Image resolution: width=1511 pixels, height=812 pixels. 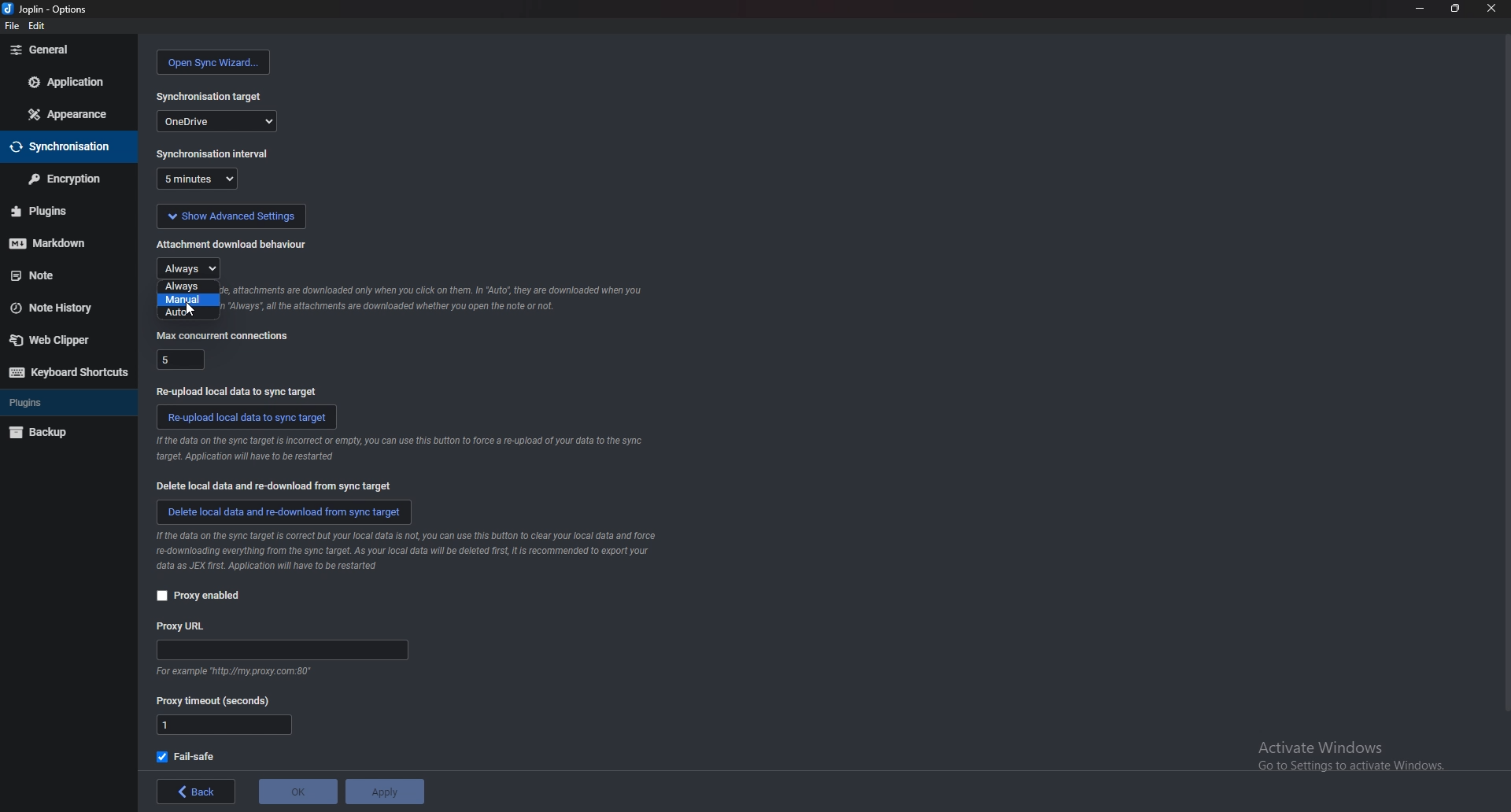 What do you see at coordinates (401, 448) in the screenshot?
I see `info` at bounding box center [401, 448].